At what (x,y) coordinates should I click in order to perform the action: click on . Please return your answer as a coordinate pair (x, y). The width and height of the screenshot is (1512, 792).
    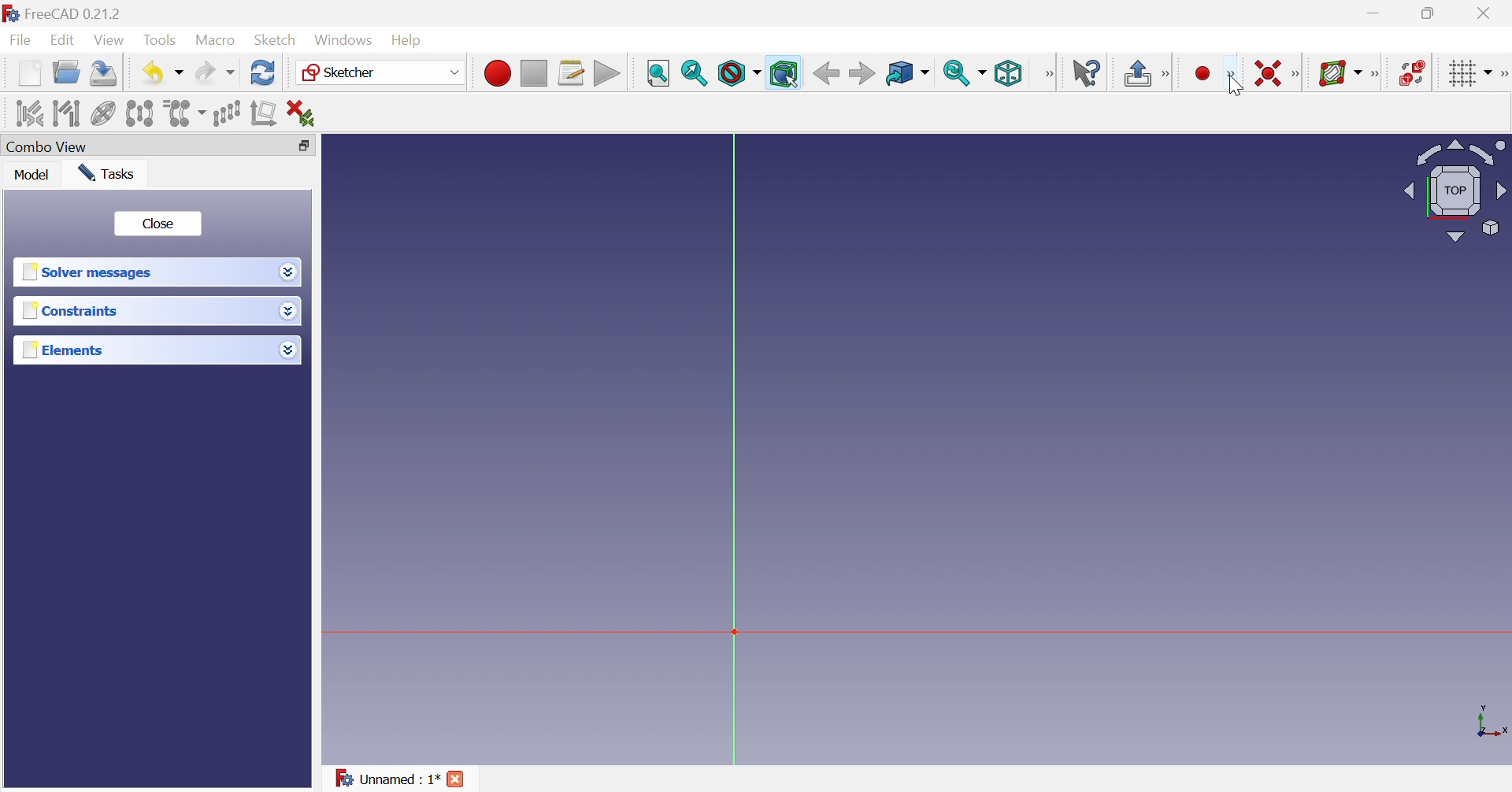
    Looking at the image, I should click on (406, 41).